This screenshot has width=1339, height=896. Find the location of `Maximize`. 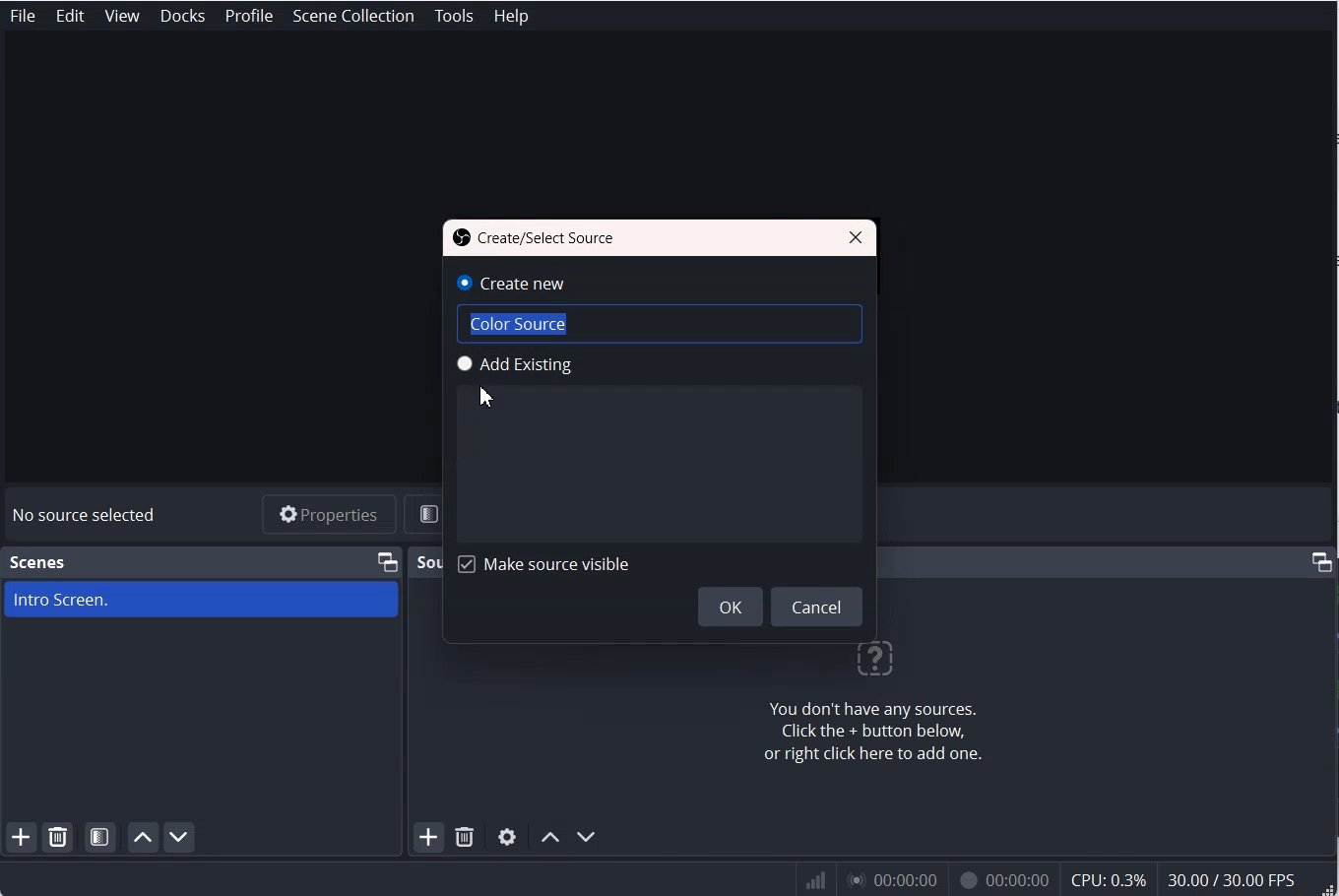

Maximize is located at coordinates (1321, 561).